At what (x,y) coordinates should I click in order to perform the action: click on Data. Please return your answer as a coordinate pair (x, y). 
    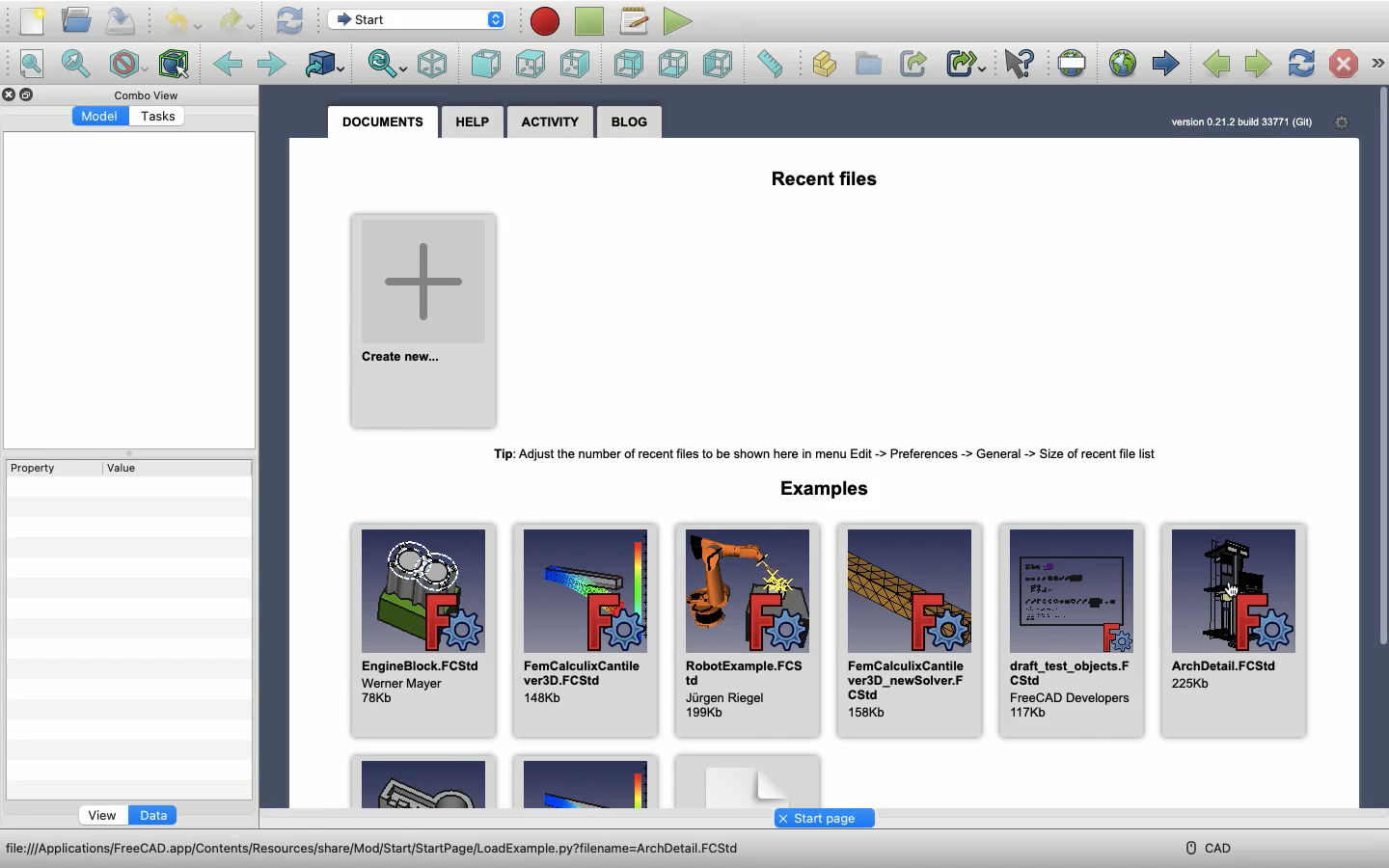
    Looking at the image, I should click on (152, 815).